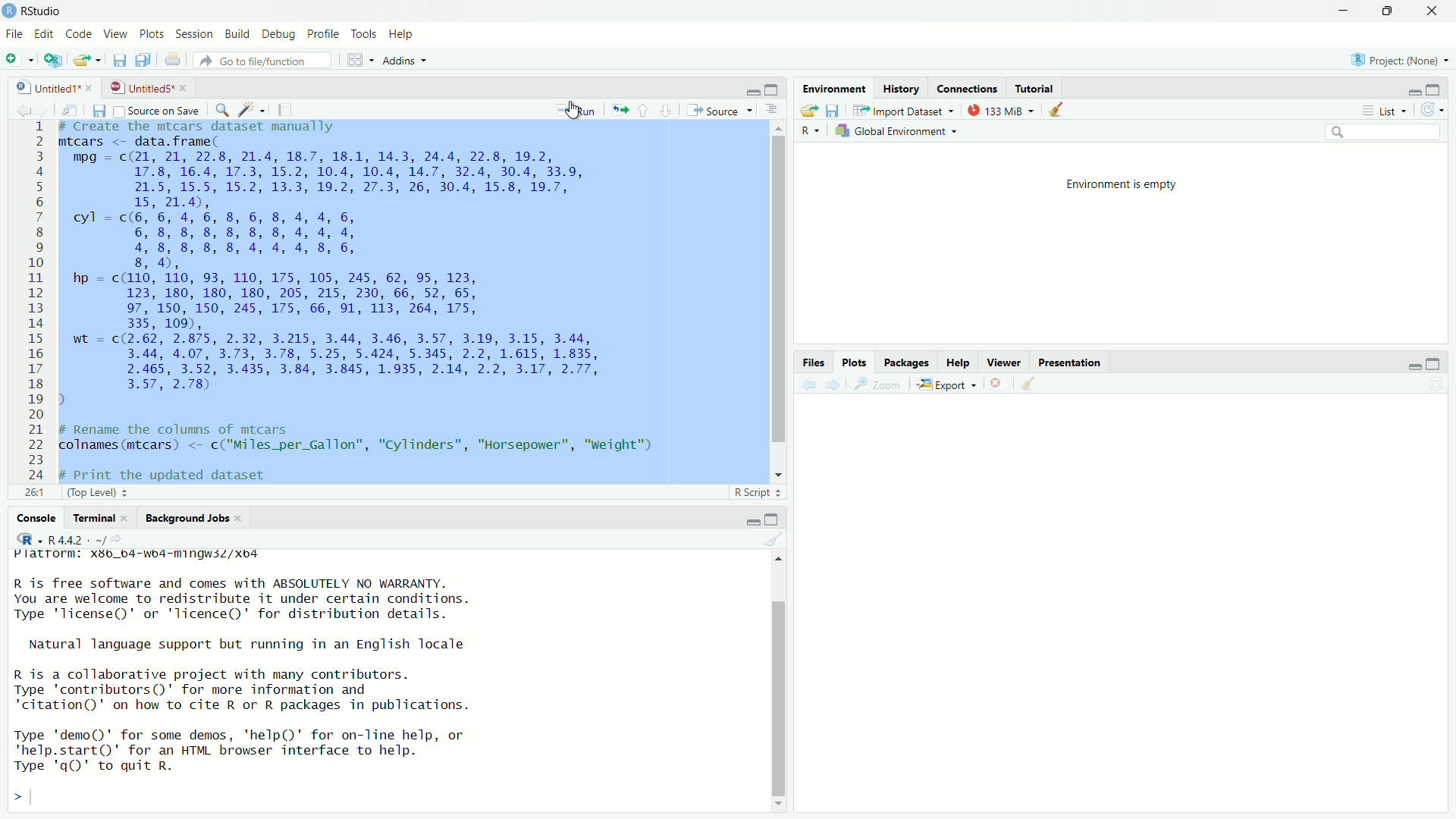 Image resolution: width=1456 pixels, height=819 pixels. I want to click on print, so click(173, 61).